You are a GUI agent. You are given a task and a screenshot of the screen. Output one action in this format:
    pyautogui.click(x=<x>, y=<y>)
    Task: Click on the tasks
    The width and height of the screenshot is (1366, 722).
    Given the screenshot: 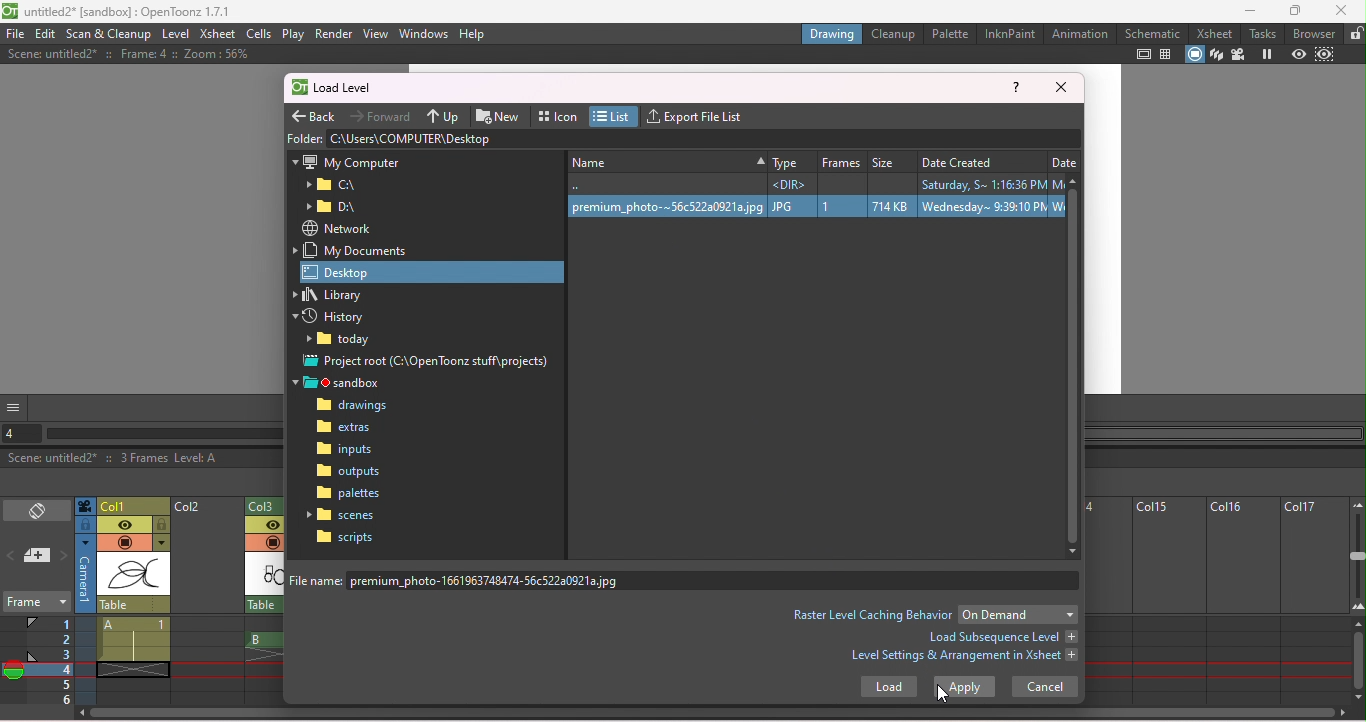 What is the action you would take?
    pyautogui.click(x=1265, y=33)
    